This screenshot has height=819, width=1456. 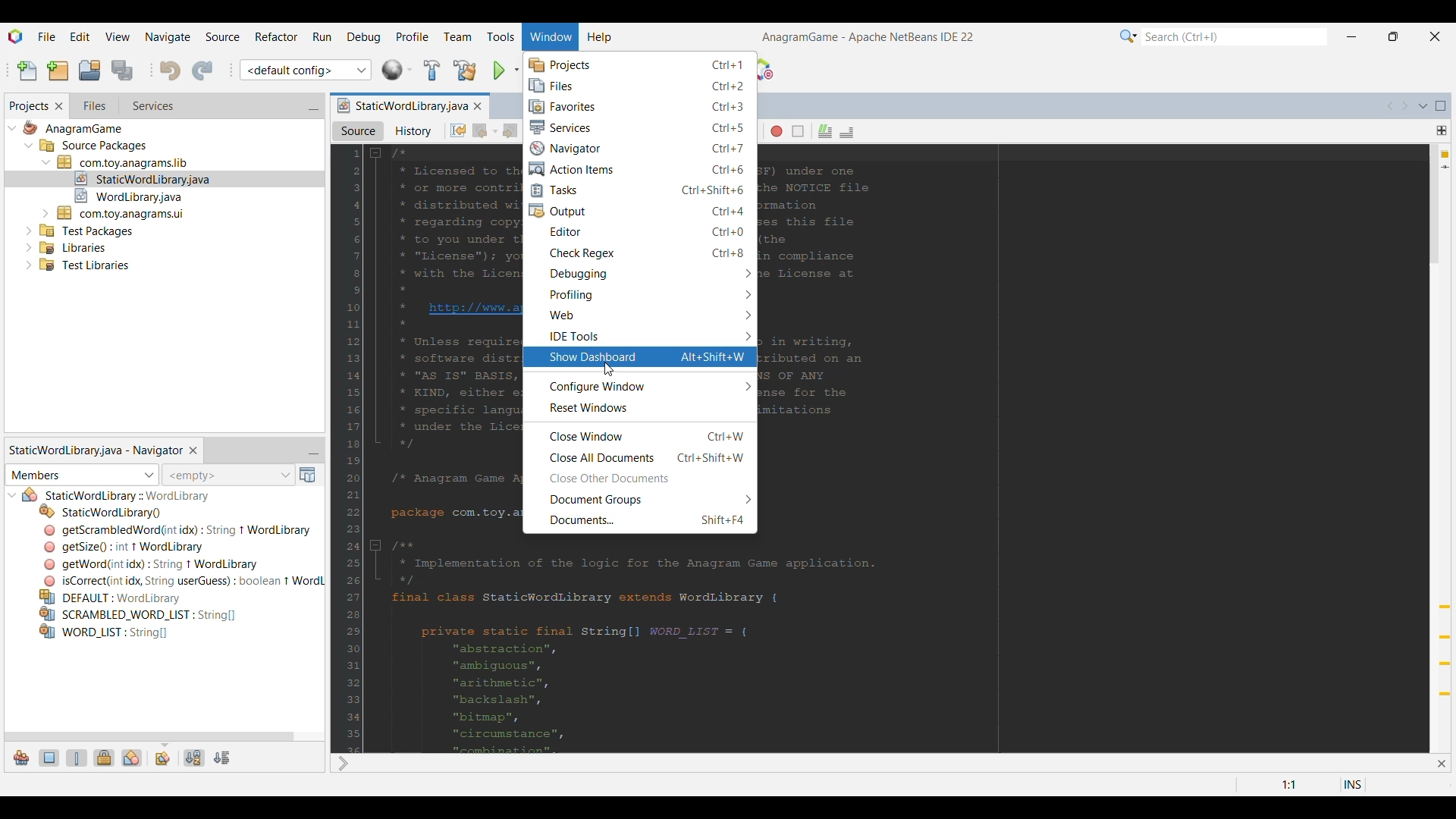 What do you see at coordinates (1444, 651) in the screenshot?
I see `Add override annotation` at bounding box center [1444, 651].